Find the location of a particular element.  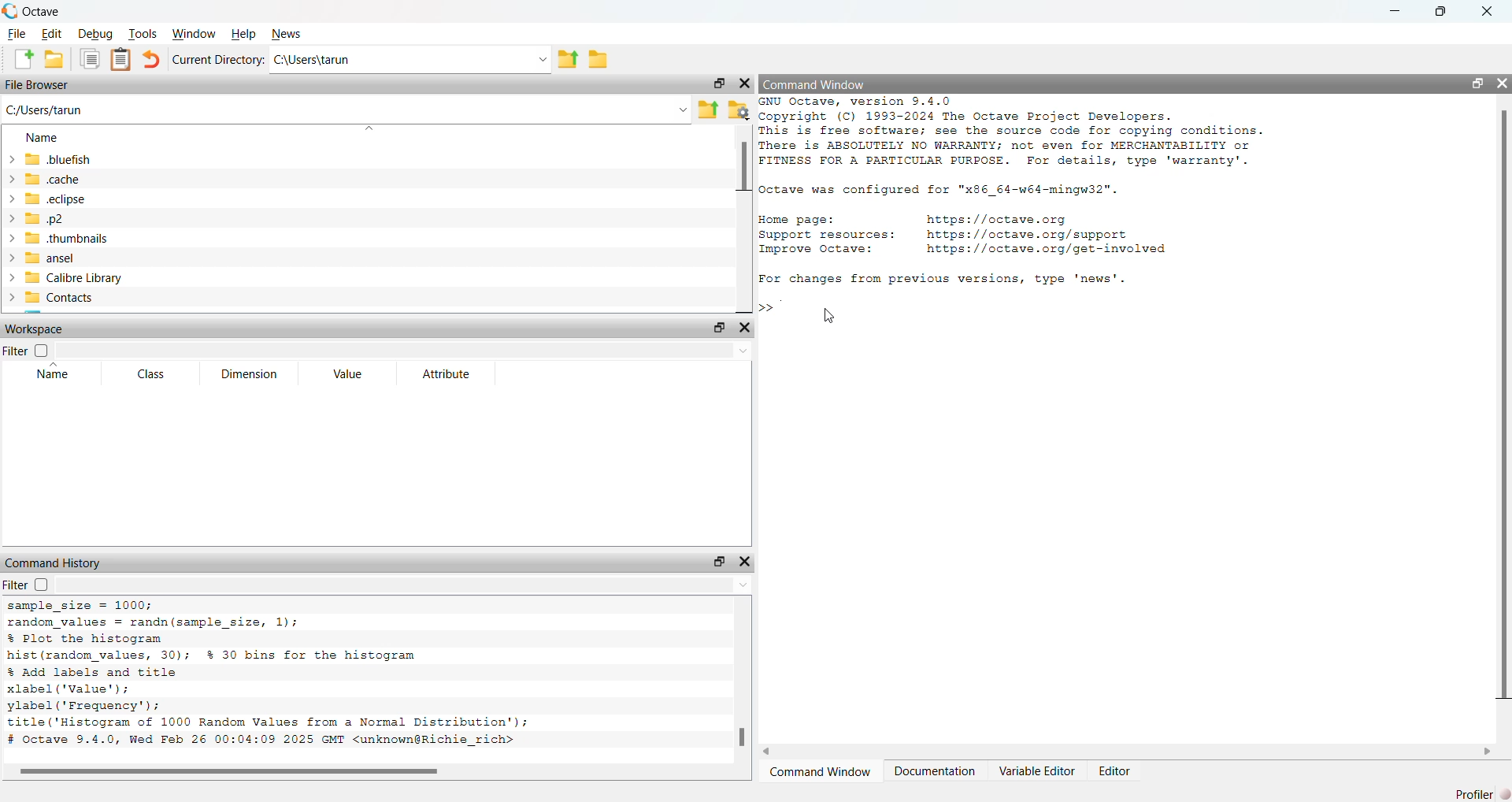

ansel is located at coordinates (39, 257).